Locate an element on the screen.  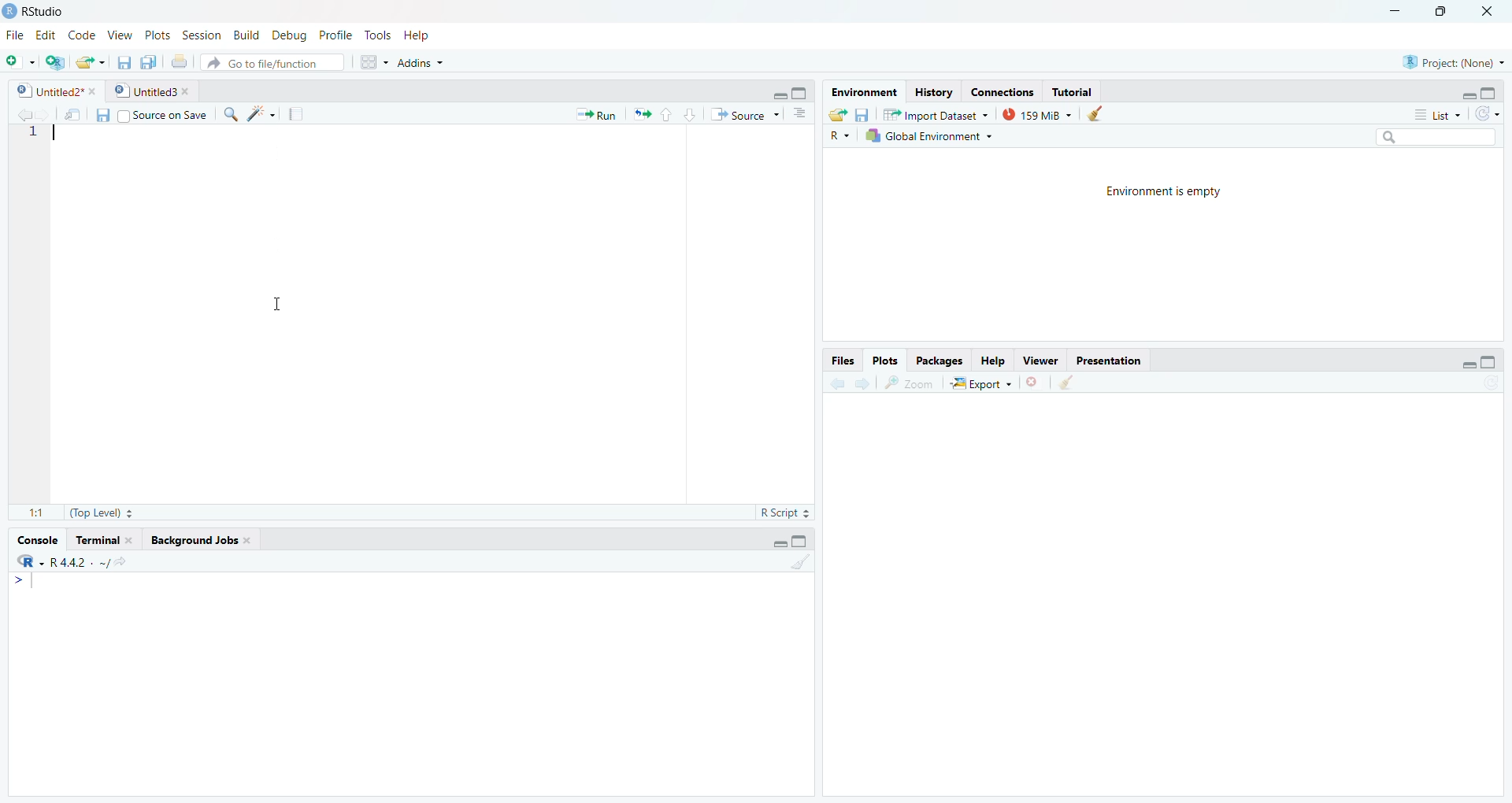
Go to file/function is located at coordinates (274, 63).